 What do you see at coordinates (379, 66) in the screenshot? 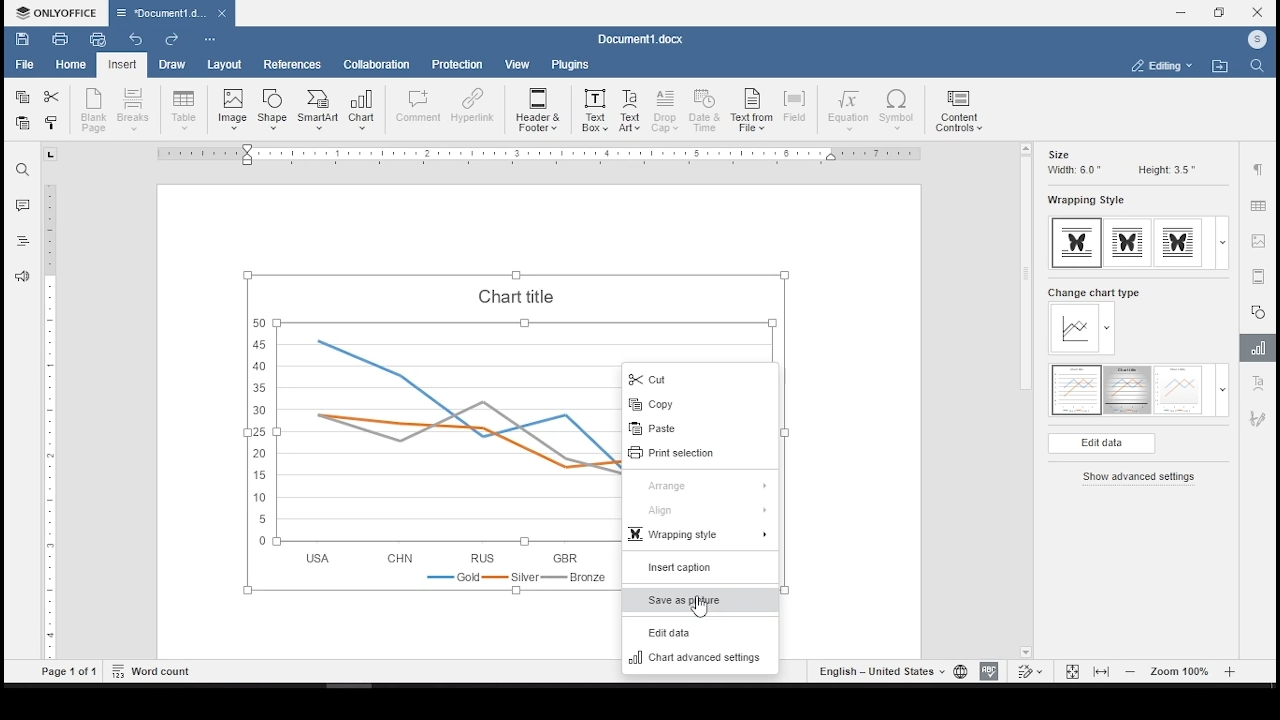
I see `collaboration` at bounding box center [379, 66].